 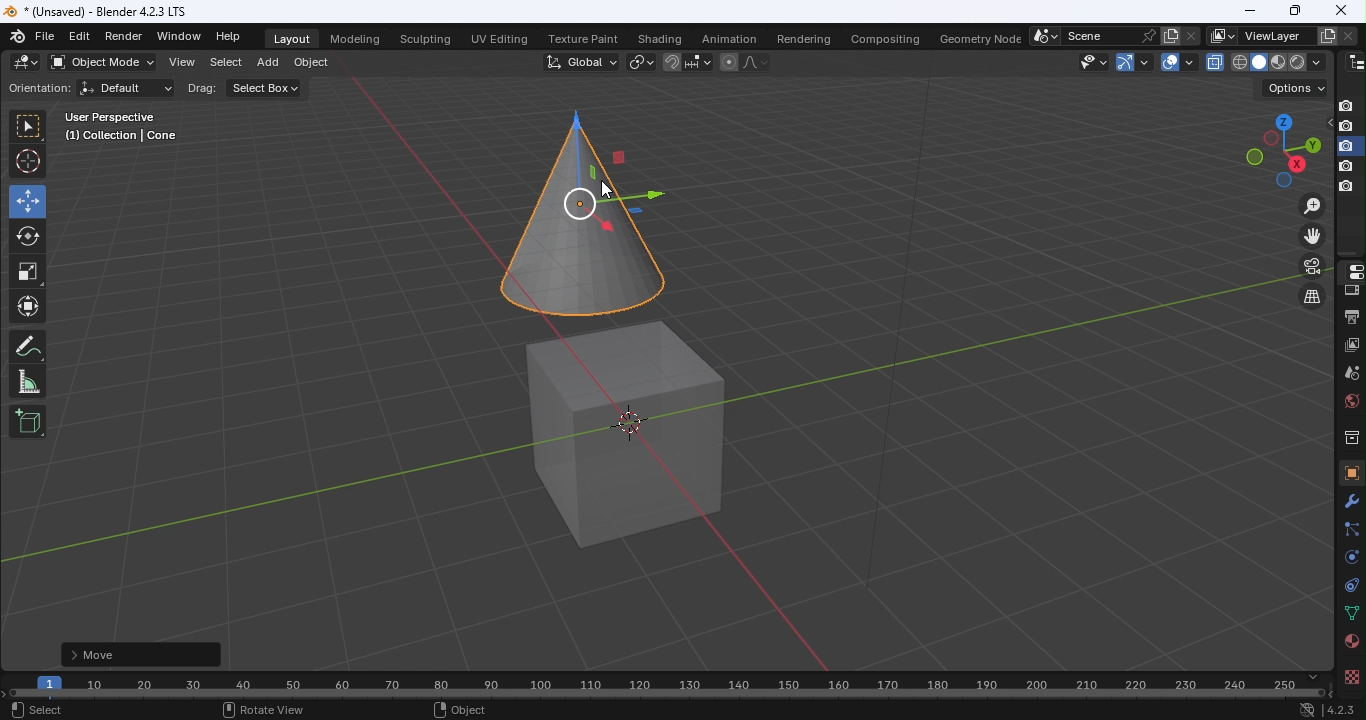 What do you see at coordinates (1309, 298) in the screenshot?
I see `Switch the current view from perspective/orthographic projection` at bounding box center [1309, 298].